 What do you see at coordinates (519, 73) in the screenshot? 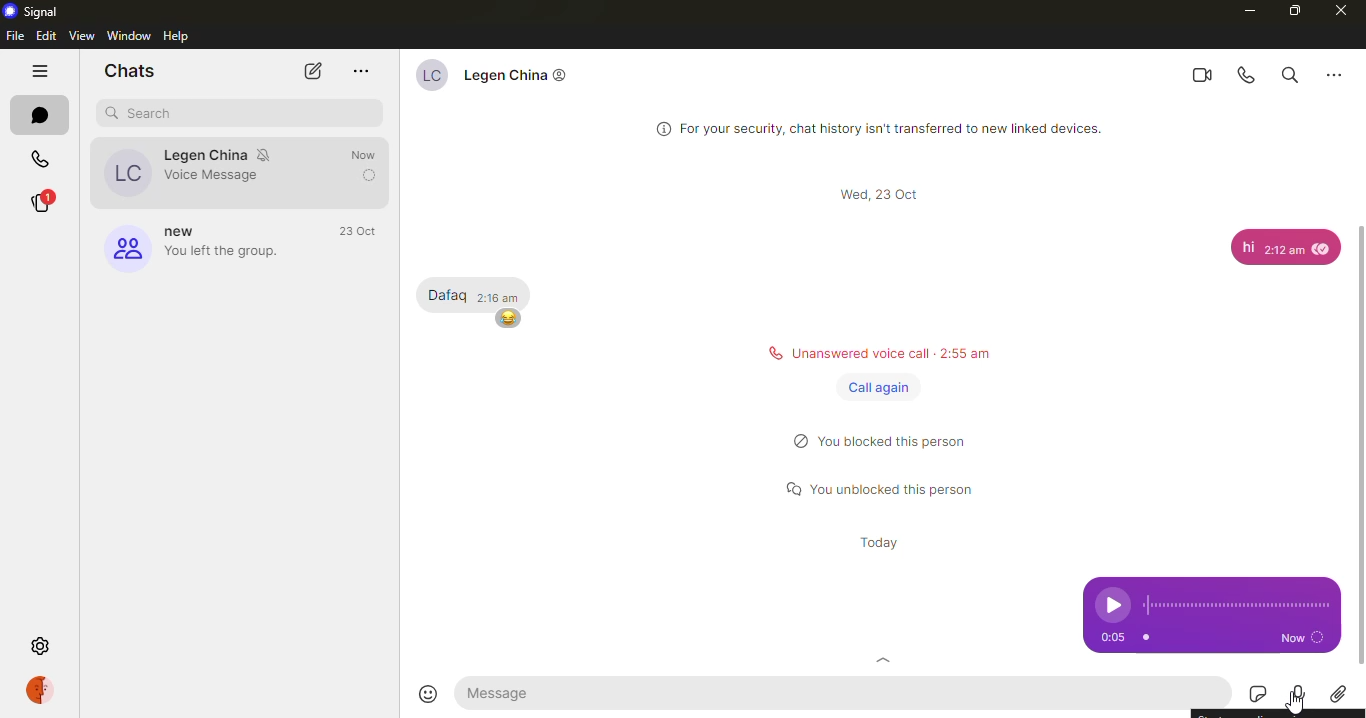
I see `contact` at bounding box center [519, 73].